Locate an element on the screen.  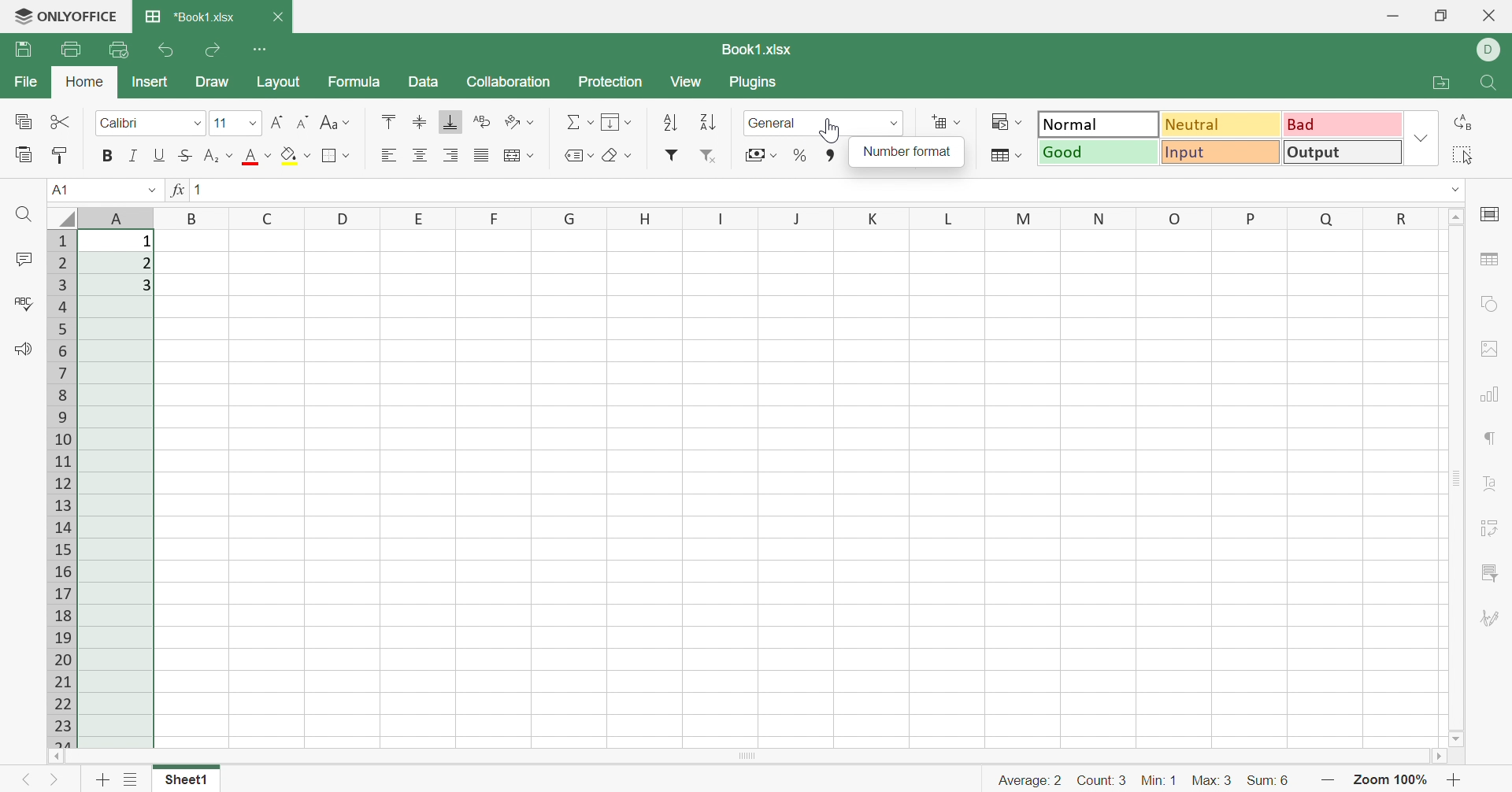
Decrement font size is located at coordinates (306, 122).